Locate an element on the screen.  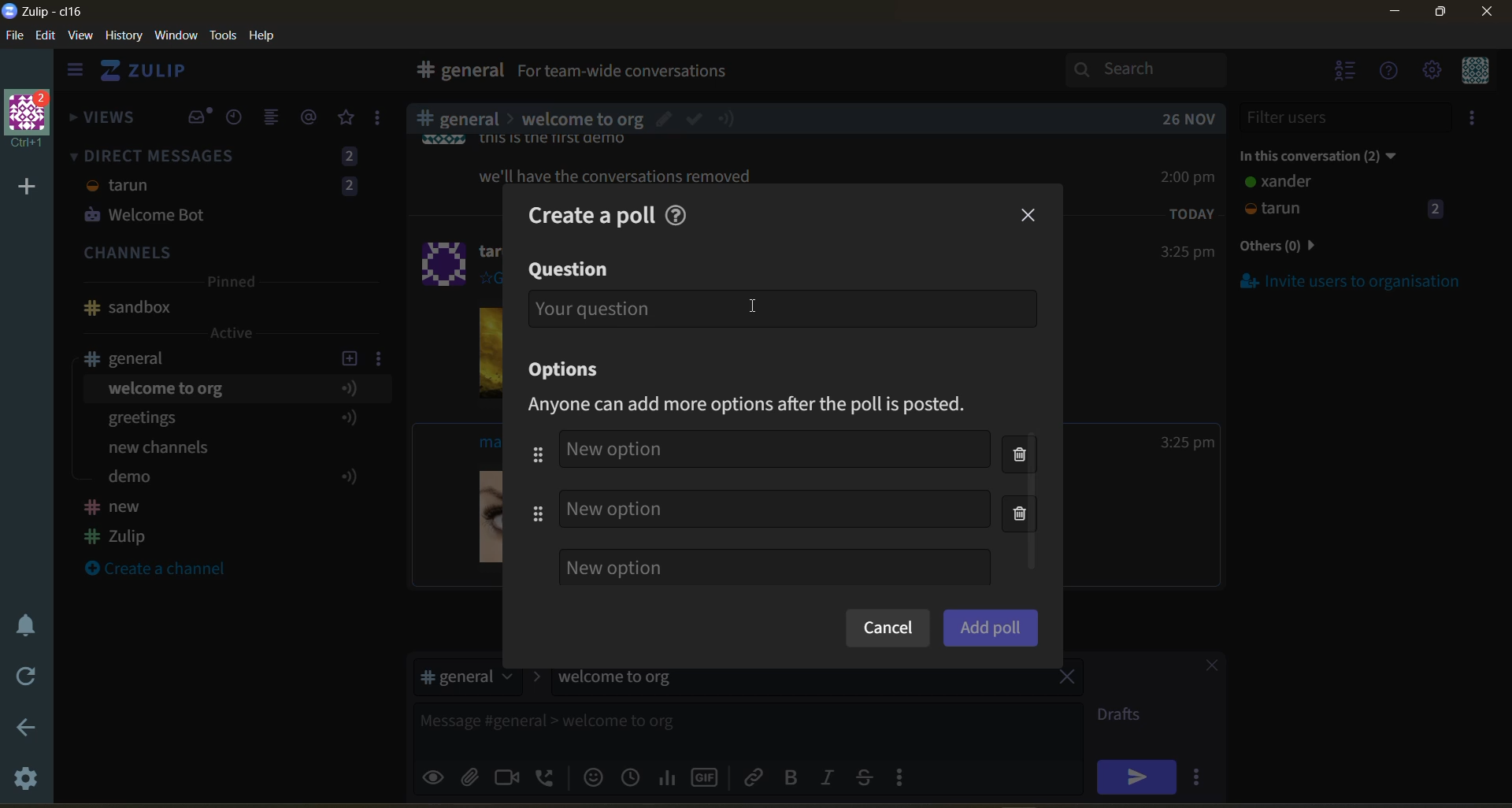
reload is located at coordinates (22, 676).